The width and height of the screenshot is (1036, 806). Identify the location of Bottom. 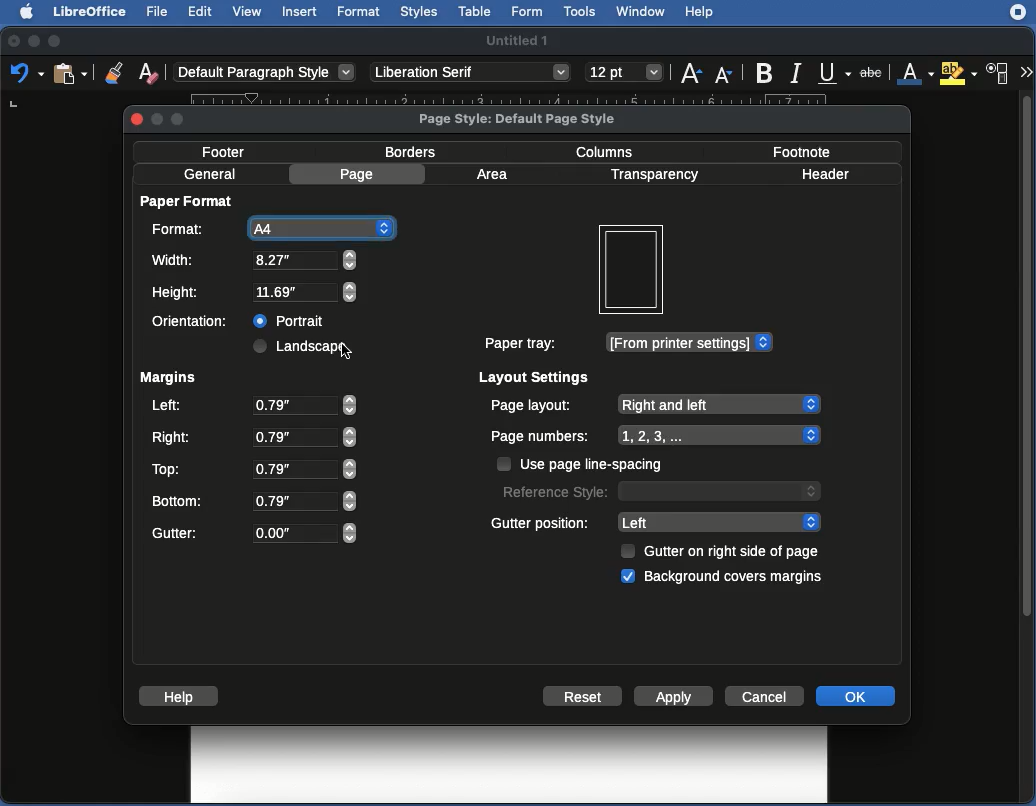
(180, 499).